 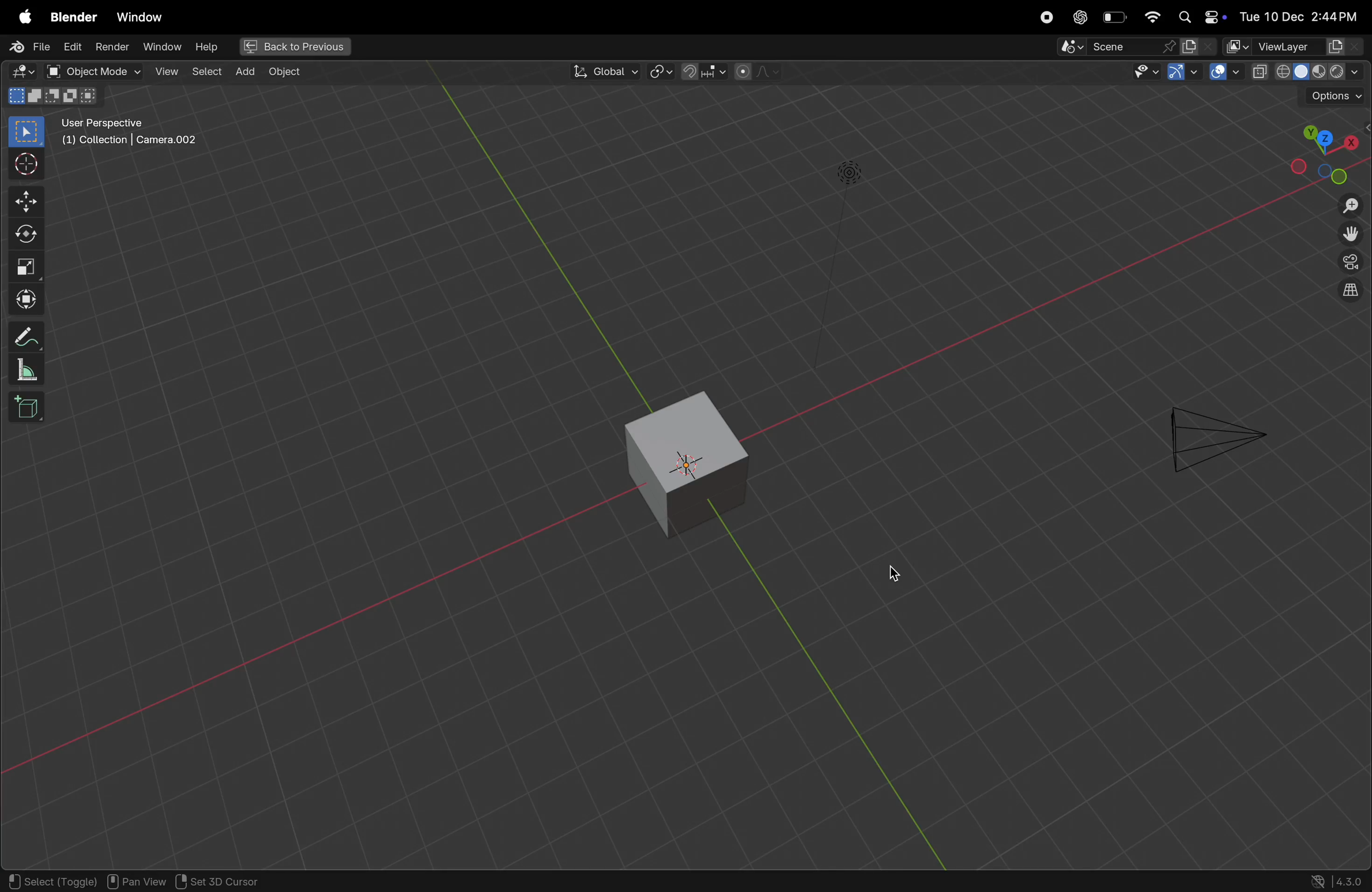 What do you see at coordinates (95, 72) in the screenshot?
I see `object mode` at bounding box center [95, 72].